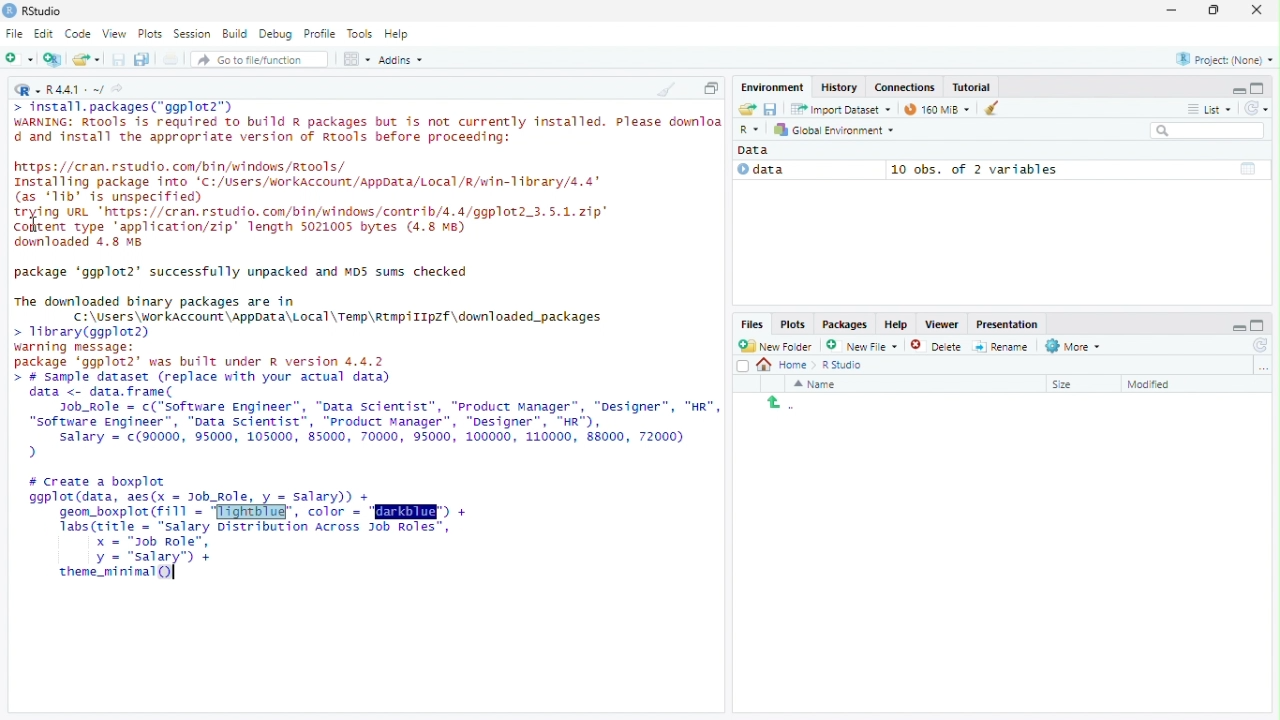 The image size is (1280, 720). What do you see at coordinates (894, 323) in the screenshot?
I see `help` at bounding box center [894, 323].